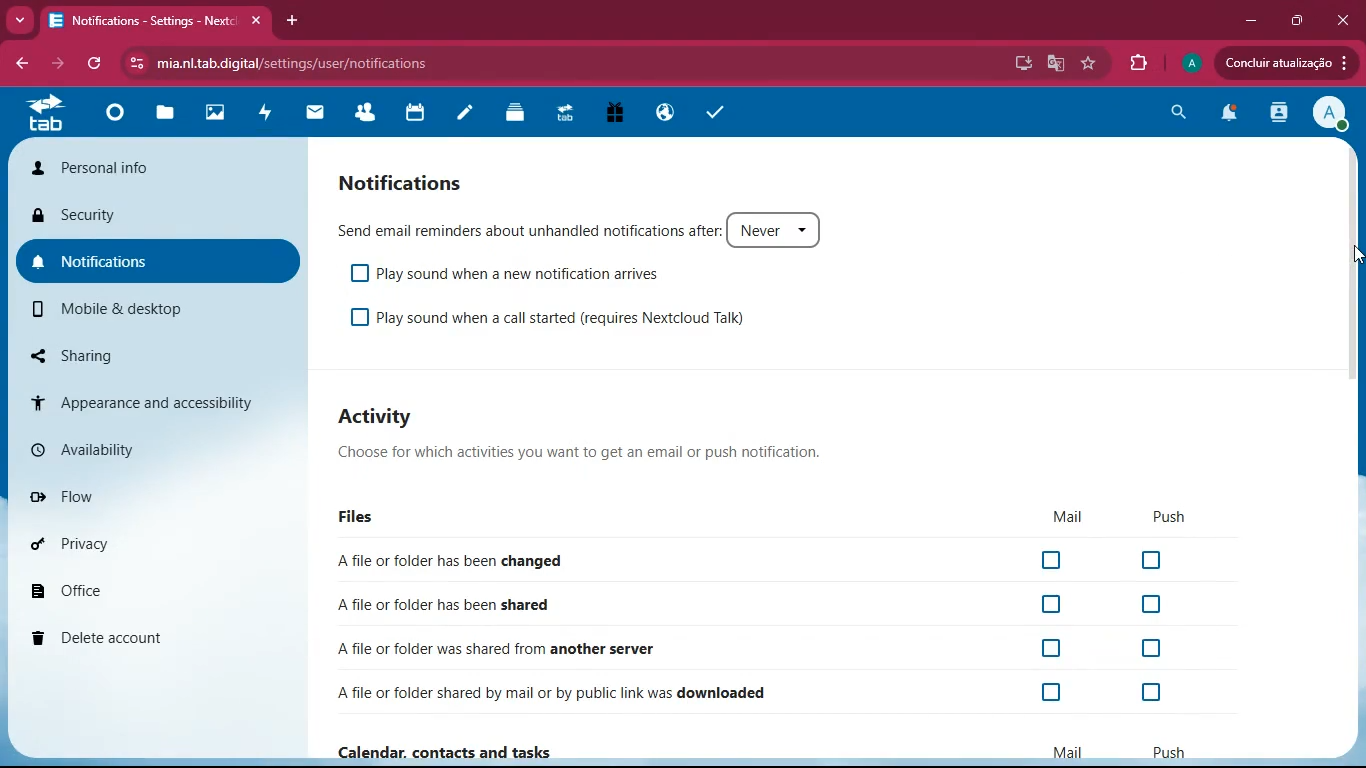 Image resolution: width=1366 pixels, height=768 pixels. What do you see at coordinates (1229, 116) in the screenshot?
I see `notifications` at bounding box center [1229, 116].